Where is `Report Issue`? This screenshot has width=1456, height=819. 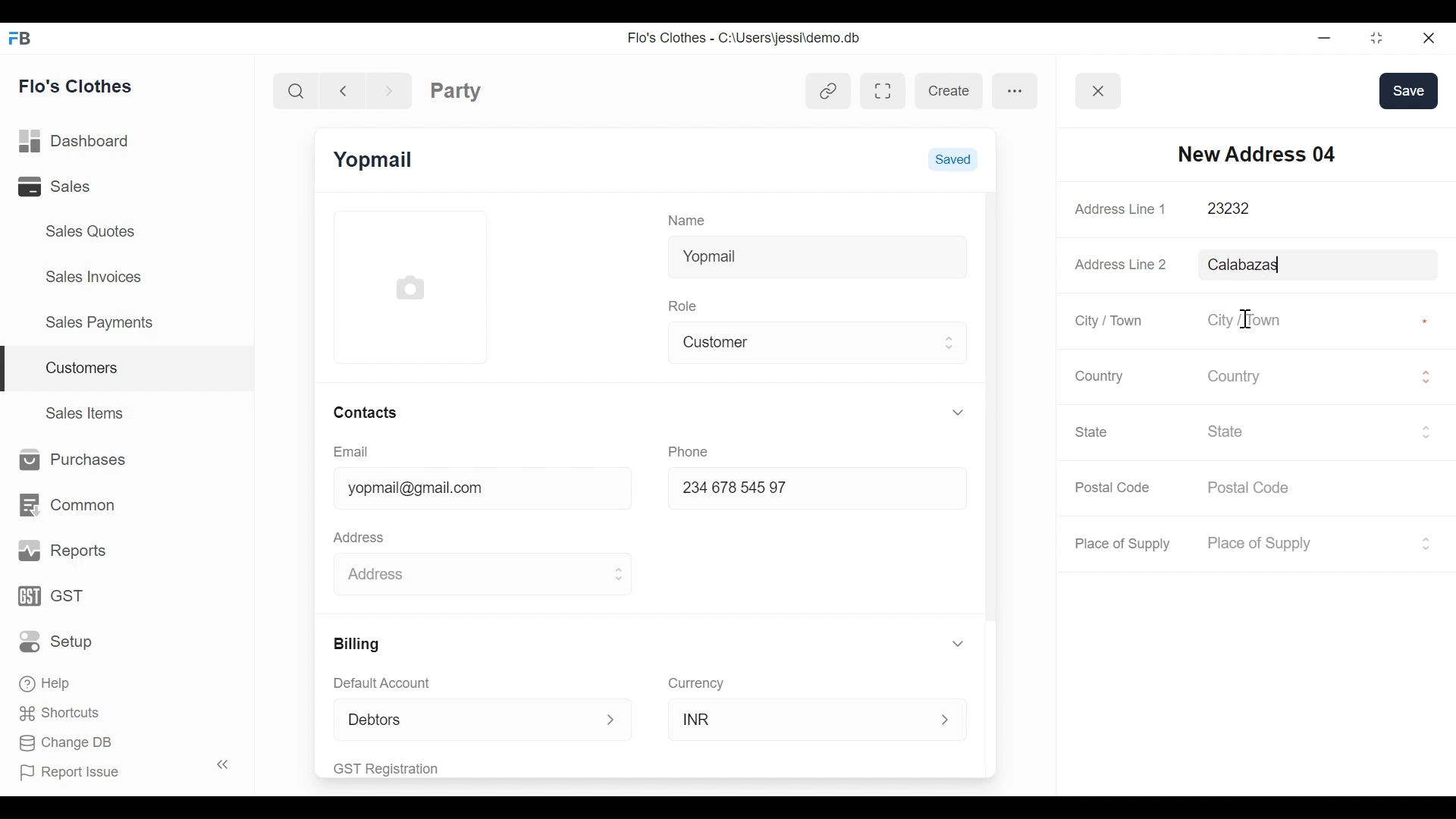
Report Issue is located at coordinates (117, 769).